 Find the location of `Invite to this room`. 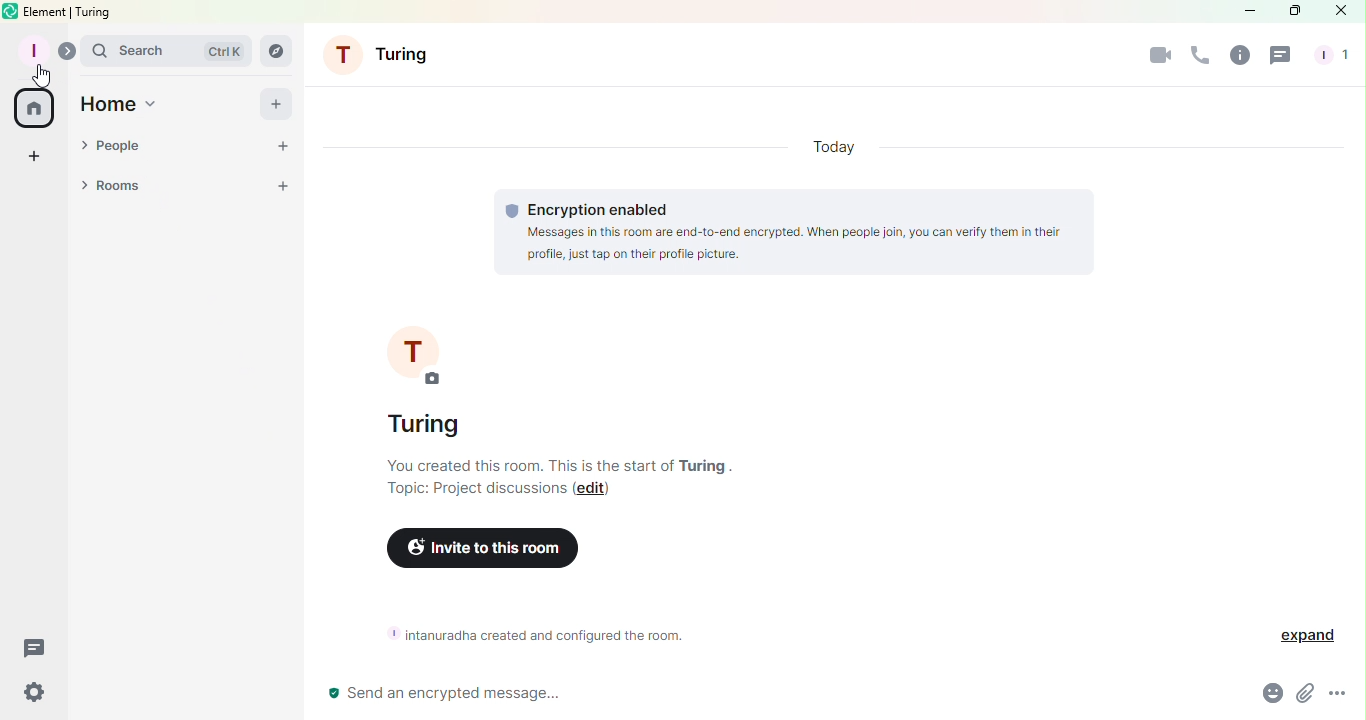

Invite to this room is located at coordinates (480, 552).